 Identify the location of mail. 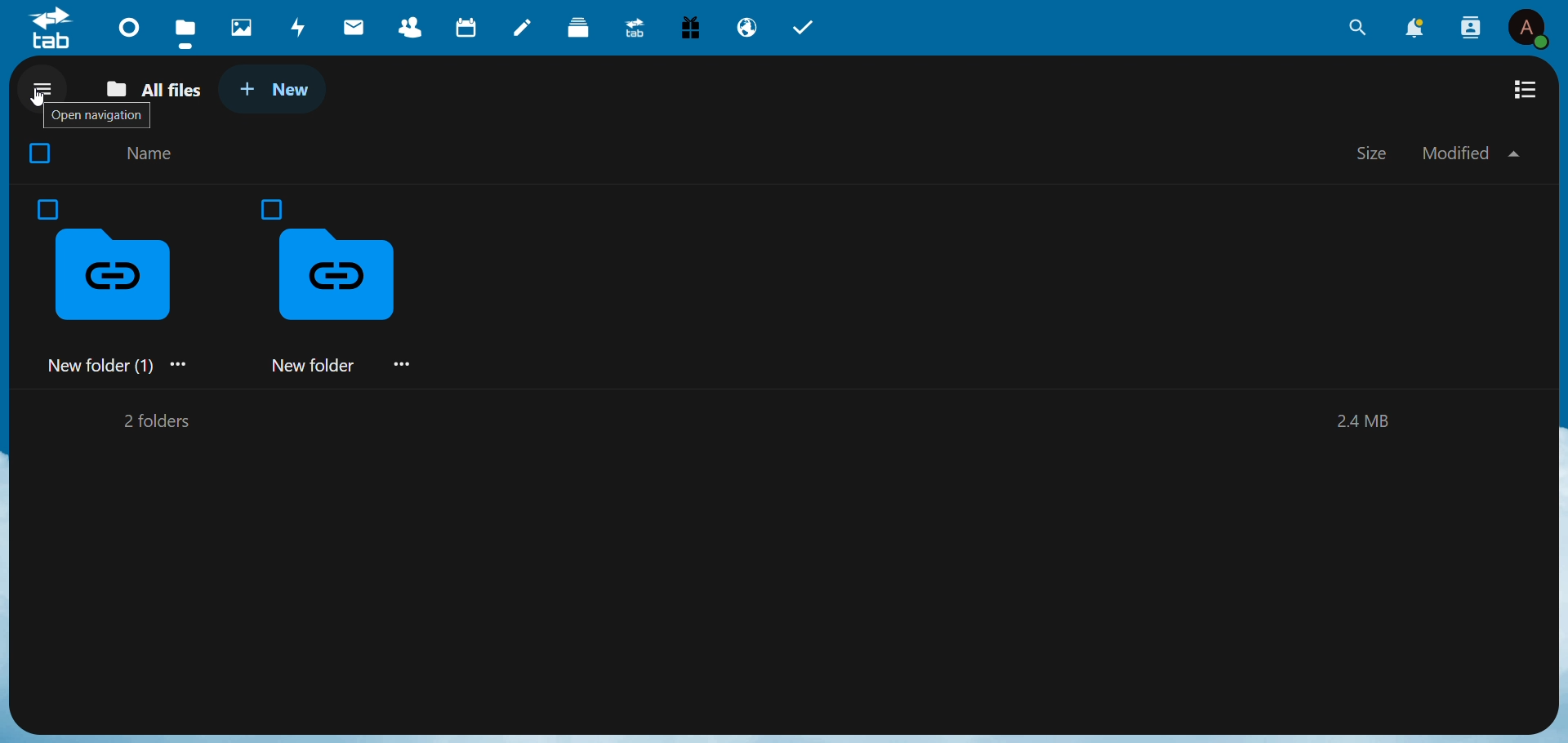
(355, 26).